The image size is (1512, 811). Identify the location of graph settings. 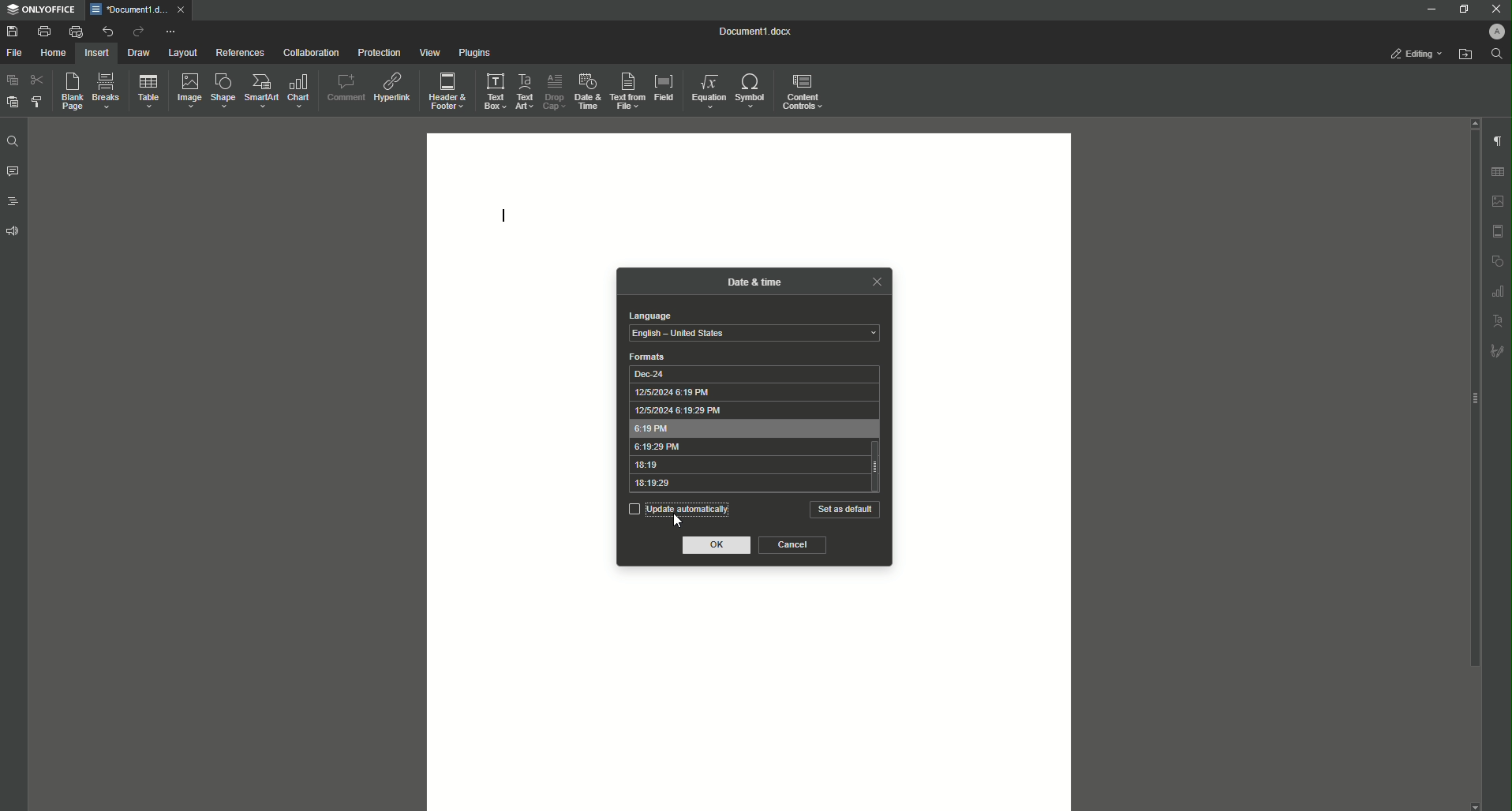
(1498, 290).